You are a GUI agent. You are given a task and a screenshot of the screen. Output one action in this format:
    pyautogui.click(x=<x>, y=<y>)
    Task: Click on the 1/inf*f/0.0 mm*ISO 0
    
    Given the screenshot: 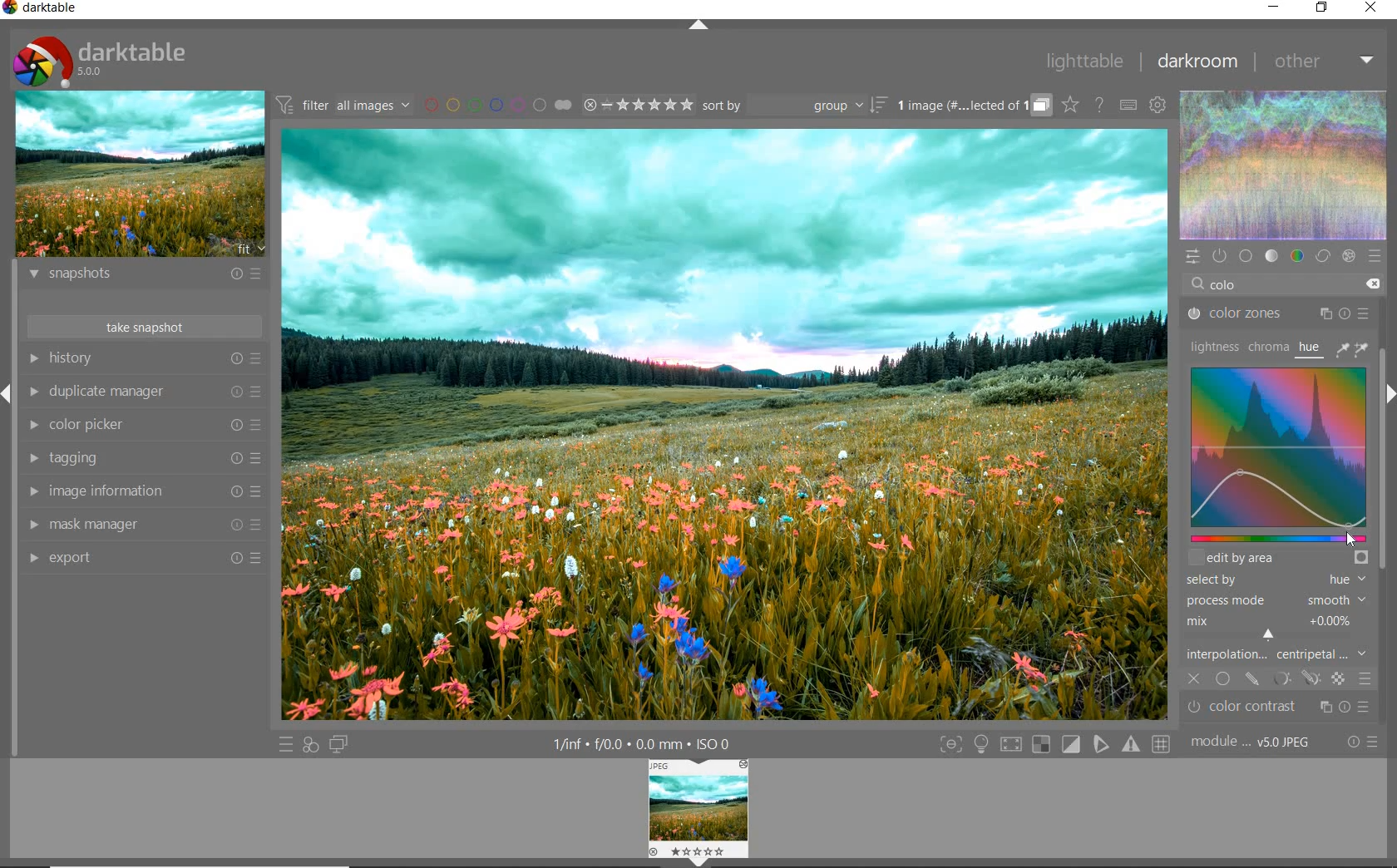 What is the action you would take?
    pyautogui.click(x=640, y=742)
    